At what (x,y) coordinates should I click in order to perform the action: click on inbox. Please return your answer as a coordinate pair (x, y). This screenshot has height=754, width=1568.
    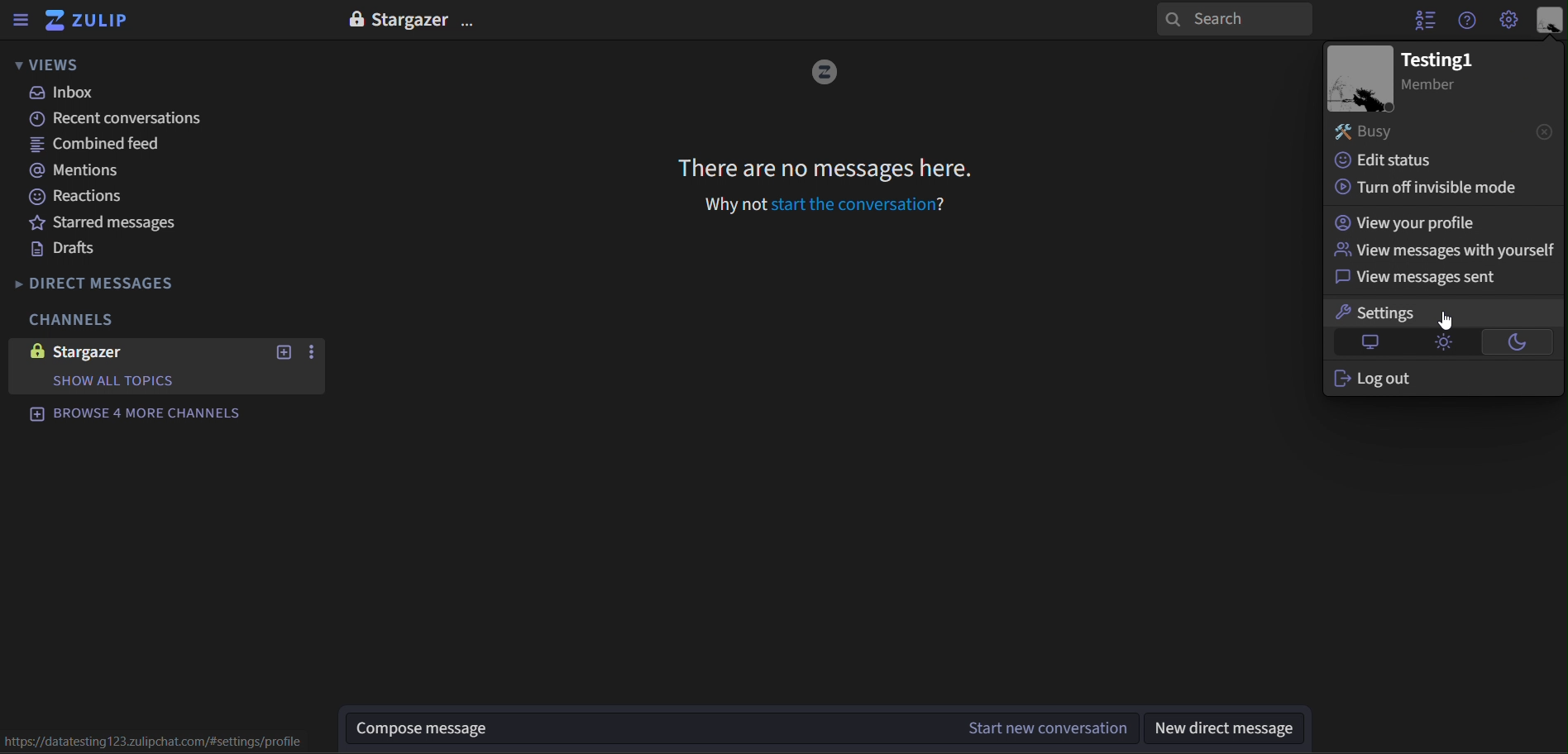
    Looking at the image, I should click on (70, 93).